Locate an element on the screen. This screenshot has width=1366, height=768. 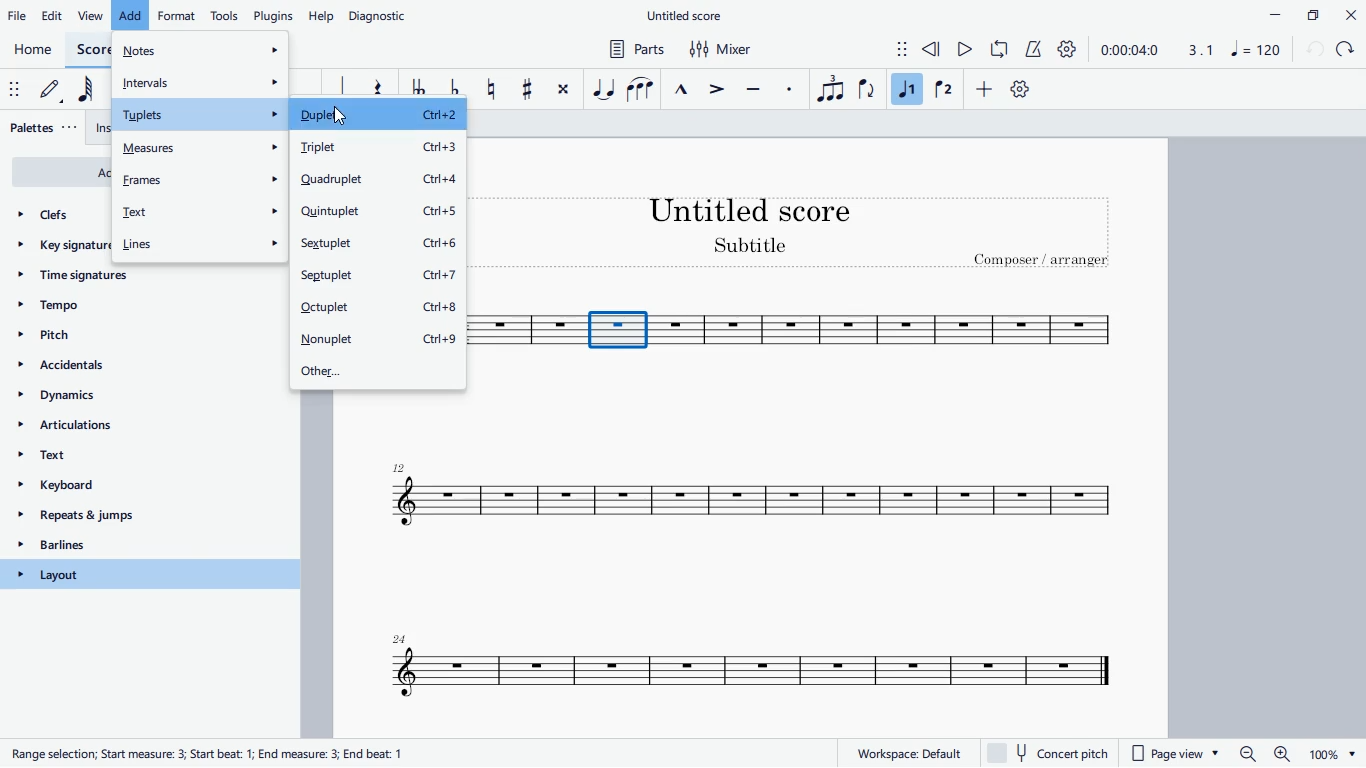
measures is located at coordinates (200, 147).